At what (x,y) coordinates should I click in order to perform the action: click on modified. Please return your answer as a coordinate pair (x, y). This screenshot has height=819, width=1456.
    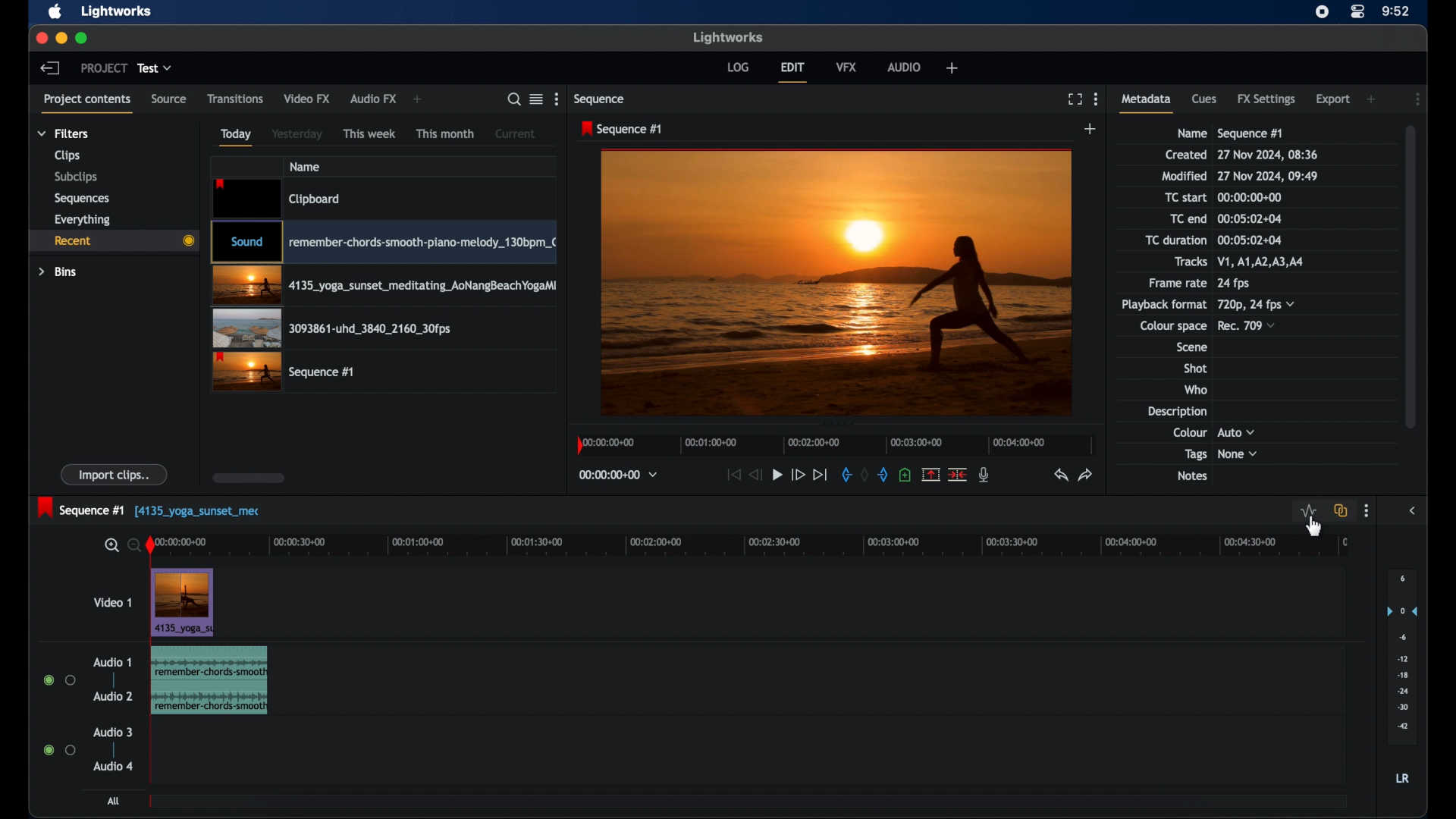
    Looking at the image, I should click on (1269, 176).